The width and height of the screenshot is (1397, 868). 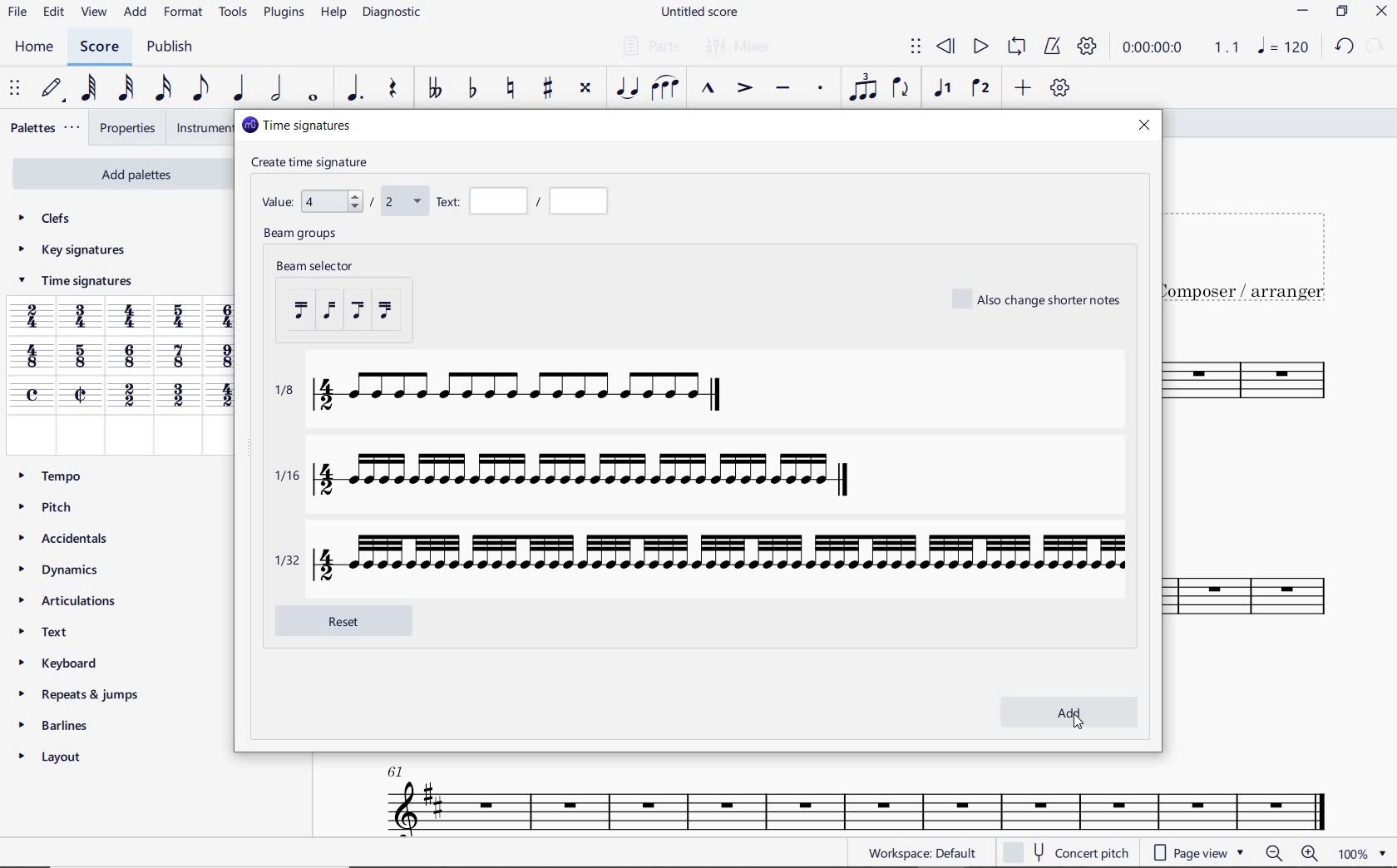 What do you see at coordinates (62, 570) in the screenshot?
I see `DYNAMICS` at bounding box center [62, 570].